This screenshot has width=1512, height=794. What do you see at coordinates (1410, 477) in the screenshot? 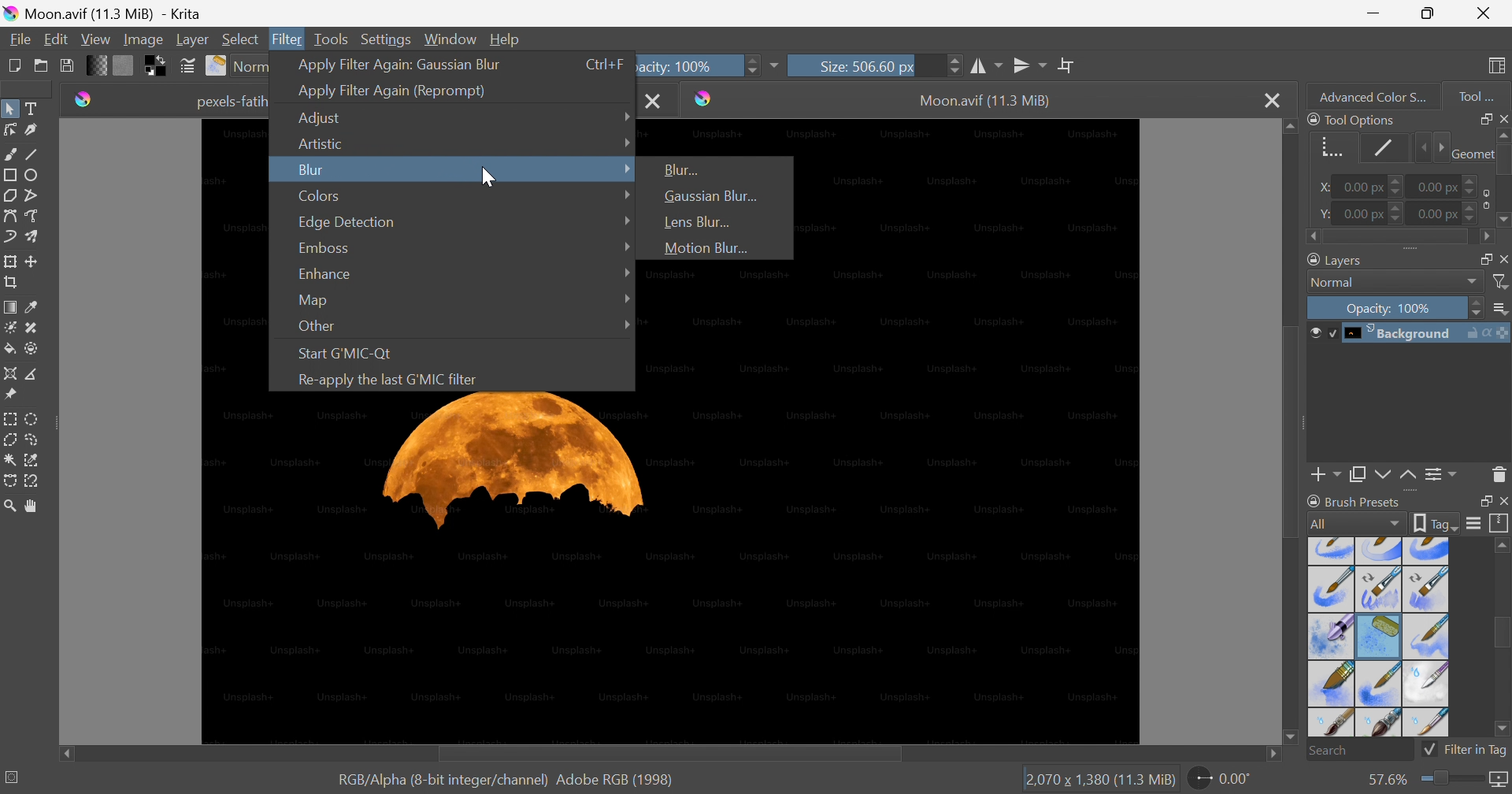
I see `Move layer or mask up` at bounding box center [1410, 477].